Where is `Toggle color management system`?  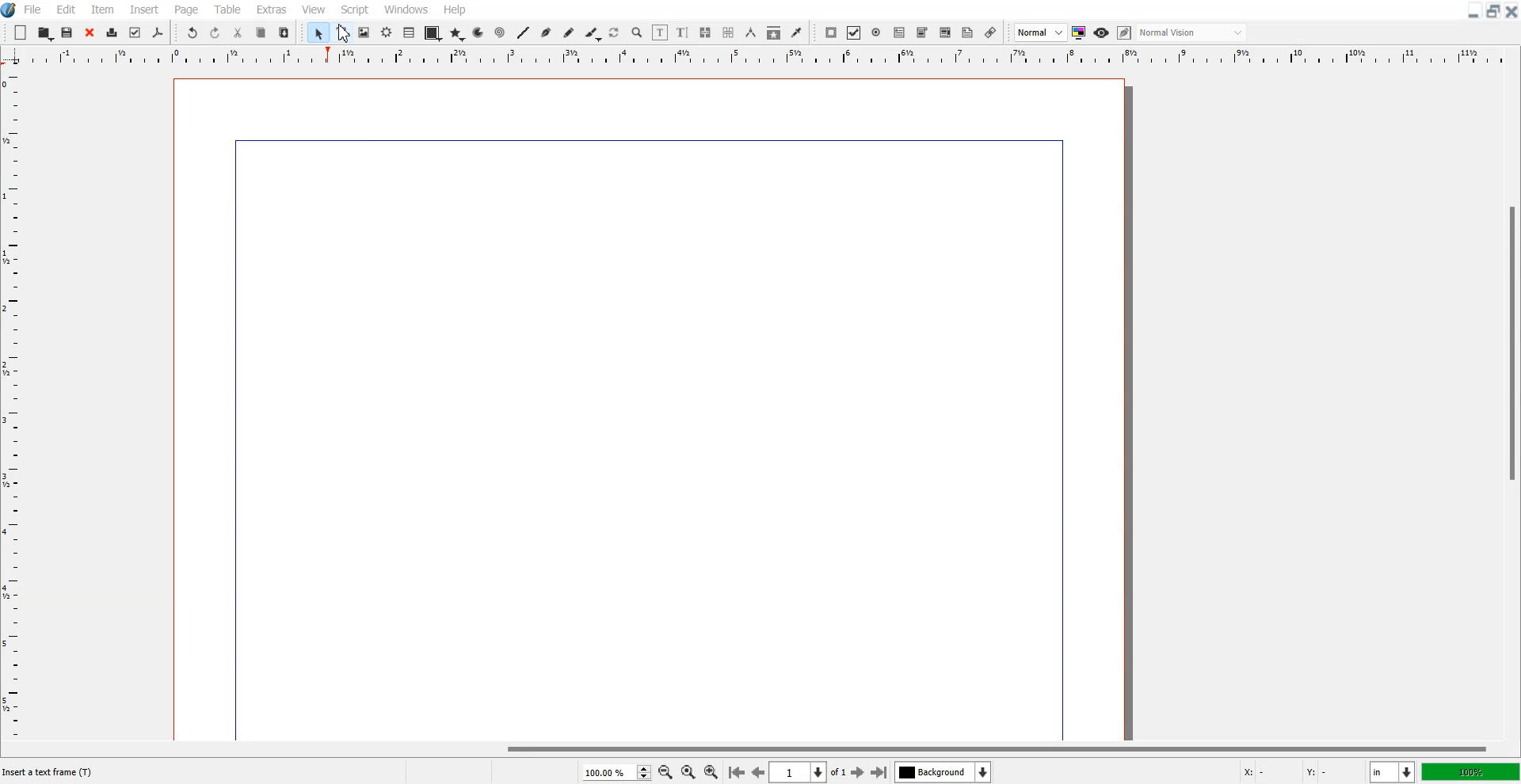
Toggle color management system is located at coordinates (1080, 32).